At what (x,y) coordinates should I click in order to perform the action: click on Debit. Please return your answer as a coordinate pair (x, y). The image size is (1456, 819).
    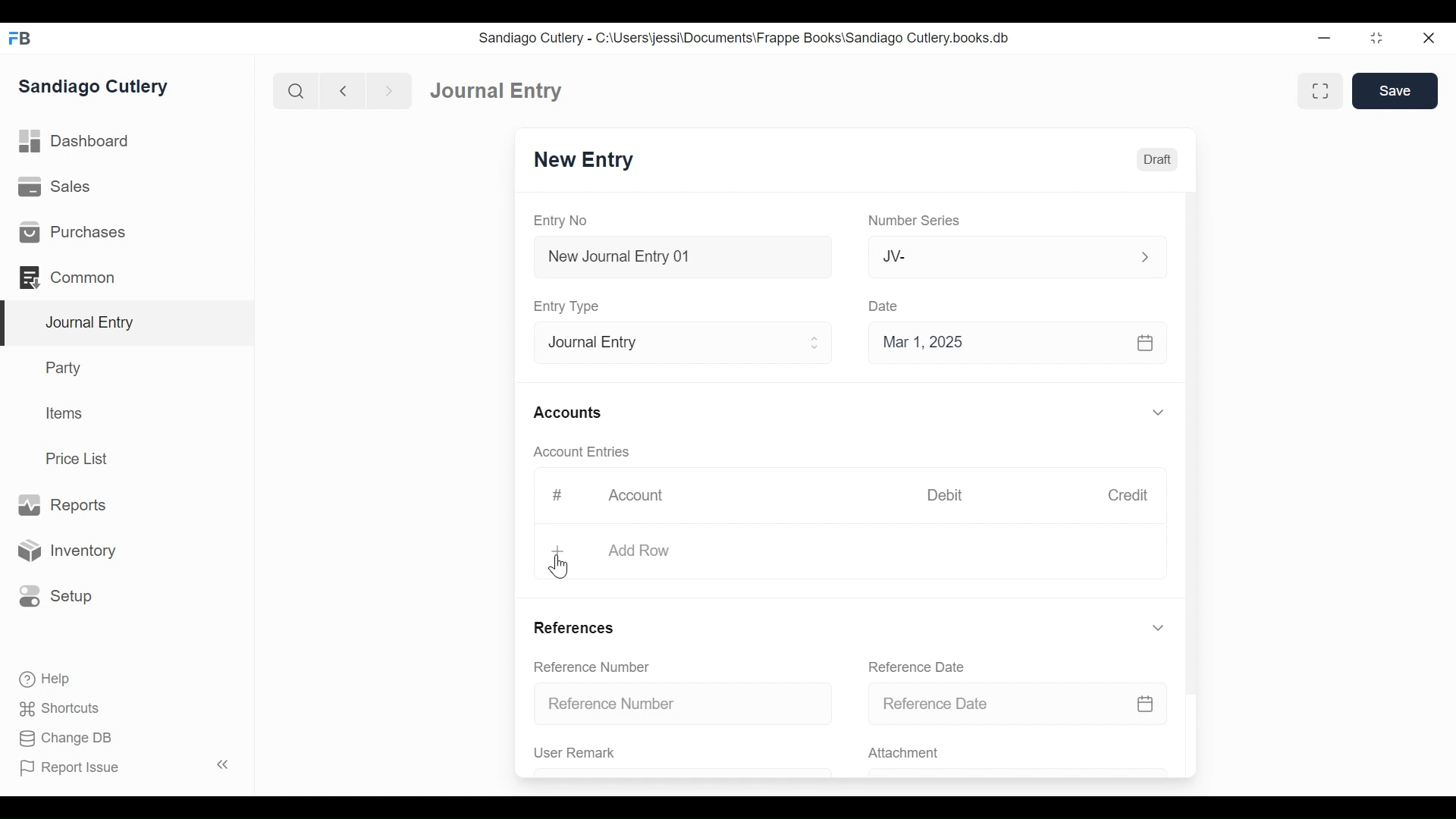
    Looking at the image, I should click on (948, 495).